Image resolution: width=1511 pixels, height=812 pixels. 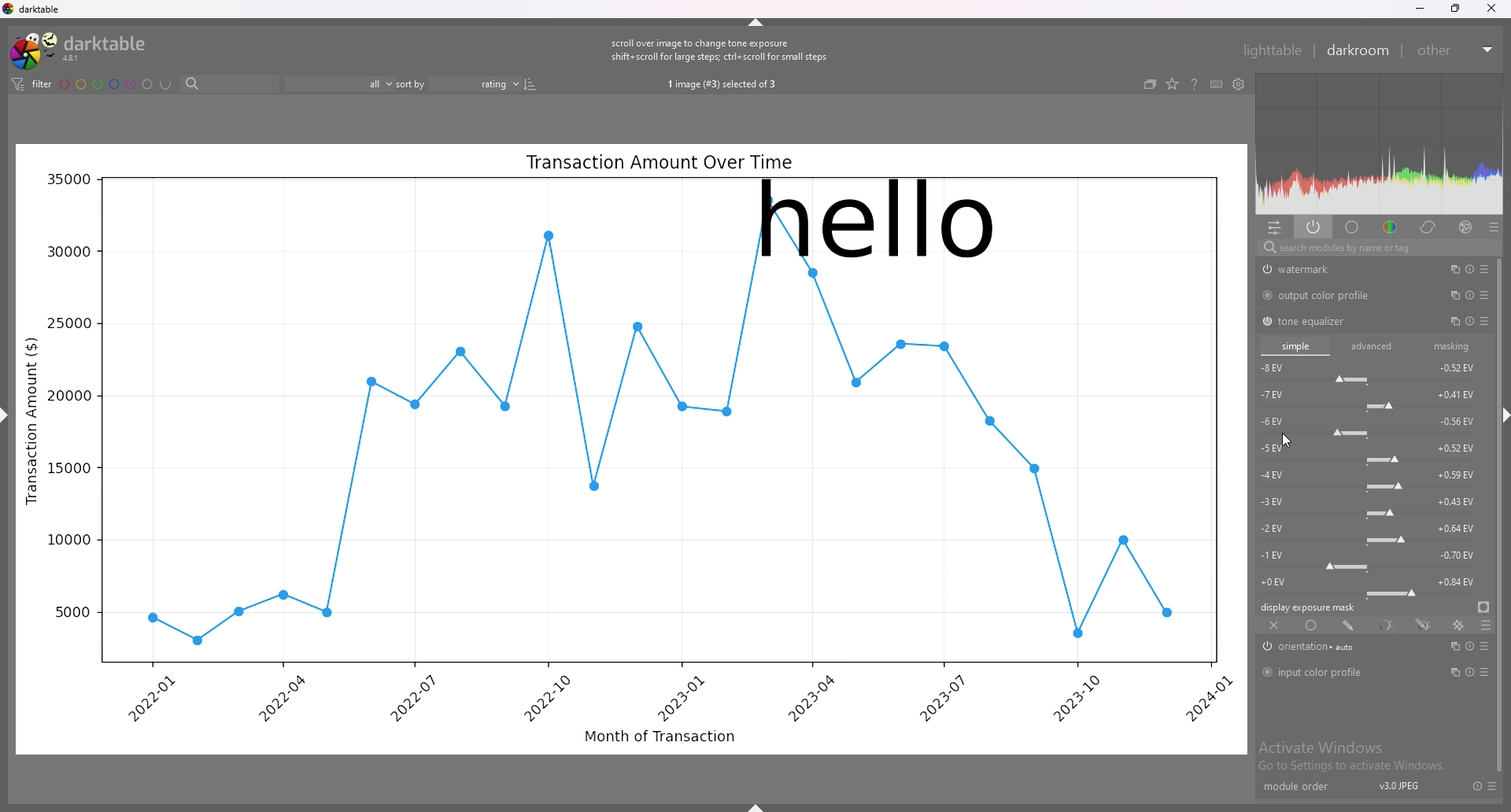 What do you see at coordinates (758, 806) in the screenshot?
I see `show sidebar` at bounding box center [758, 806].